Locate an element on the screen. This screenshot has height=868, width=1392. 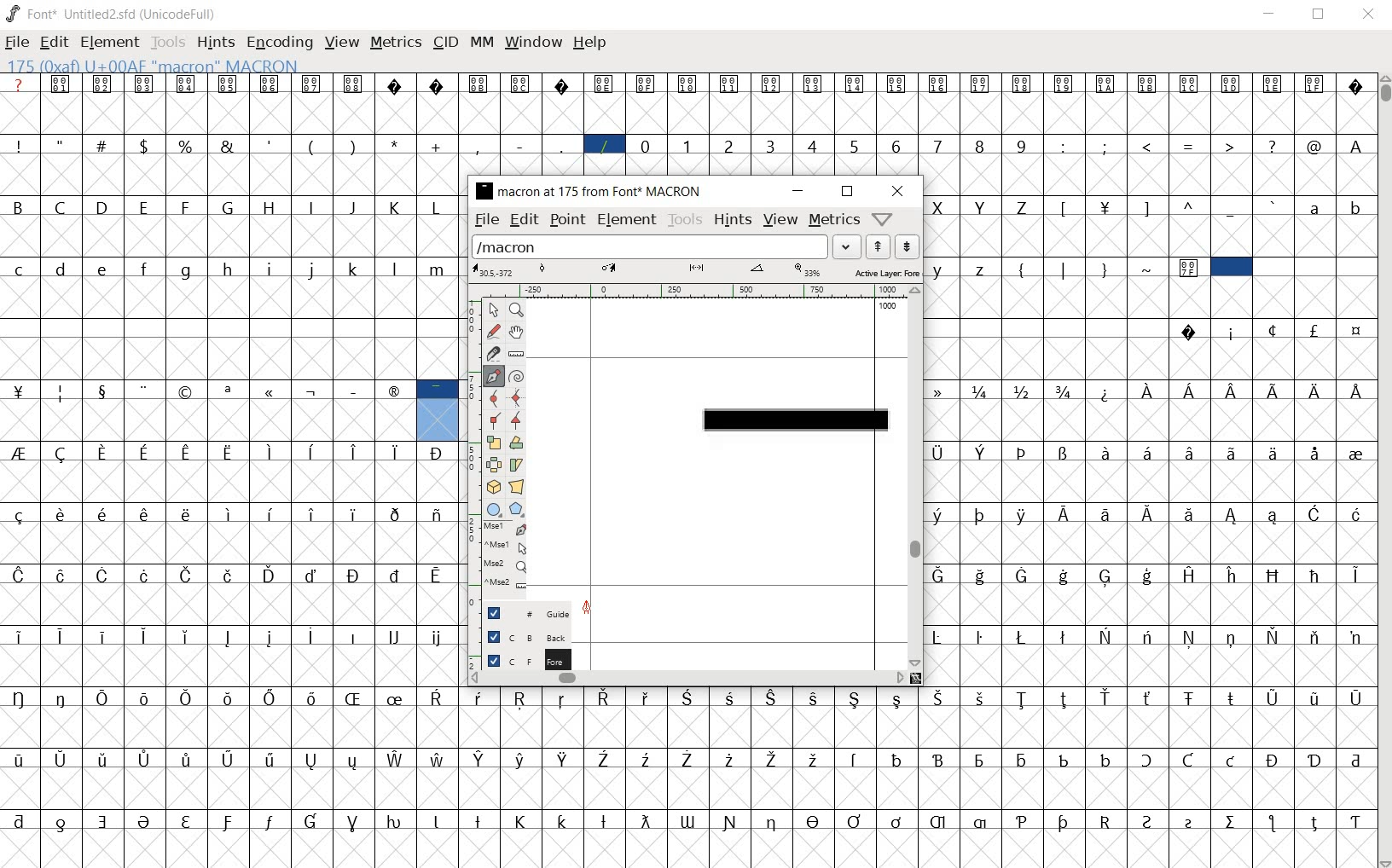
Symbol is located at coordinates (1231, 513).